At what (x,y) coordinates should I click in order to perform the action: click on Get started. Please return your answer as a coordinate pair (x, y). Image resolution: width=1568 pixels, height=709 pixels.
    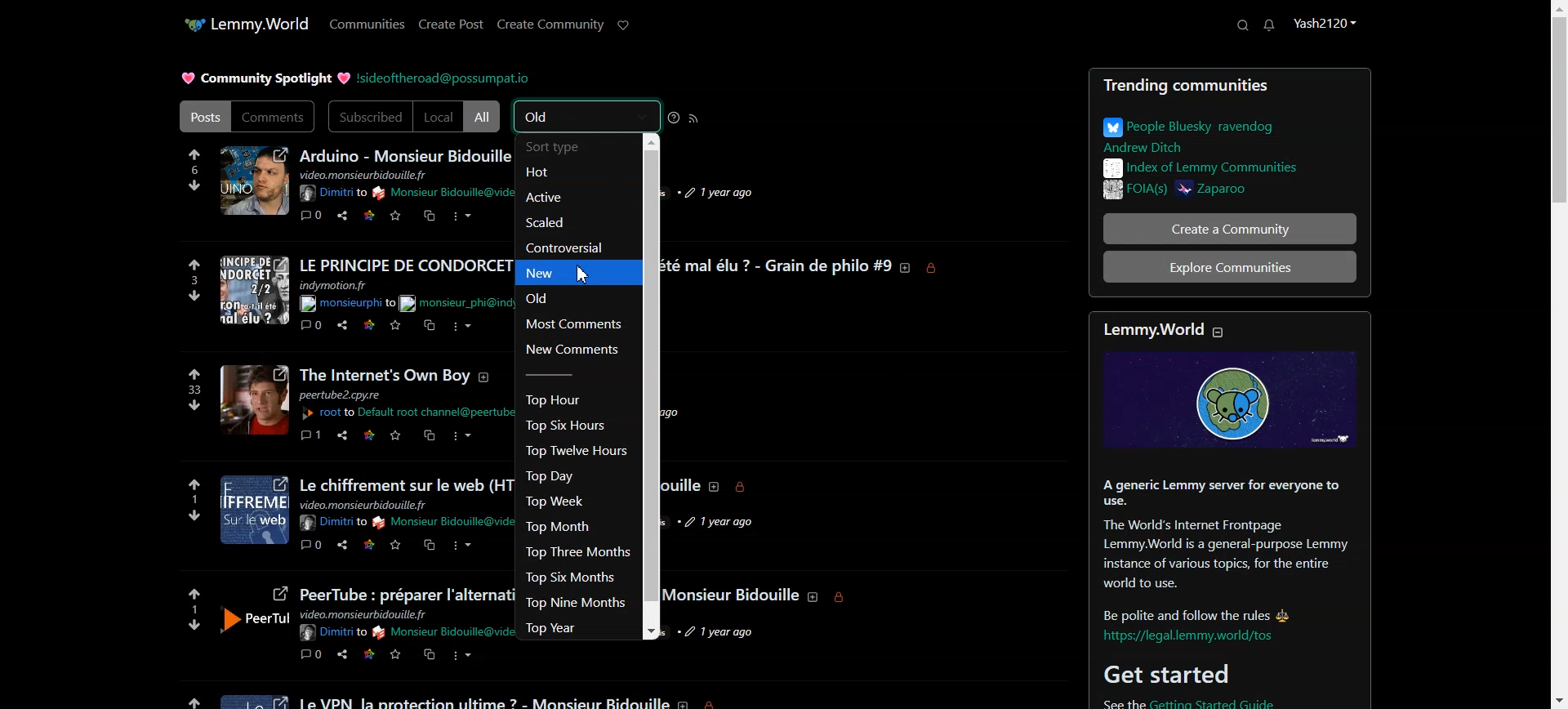
    Looking at the image, I should click on (1165, 674).